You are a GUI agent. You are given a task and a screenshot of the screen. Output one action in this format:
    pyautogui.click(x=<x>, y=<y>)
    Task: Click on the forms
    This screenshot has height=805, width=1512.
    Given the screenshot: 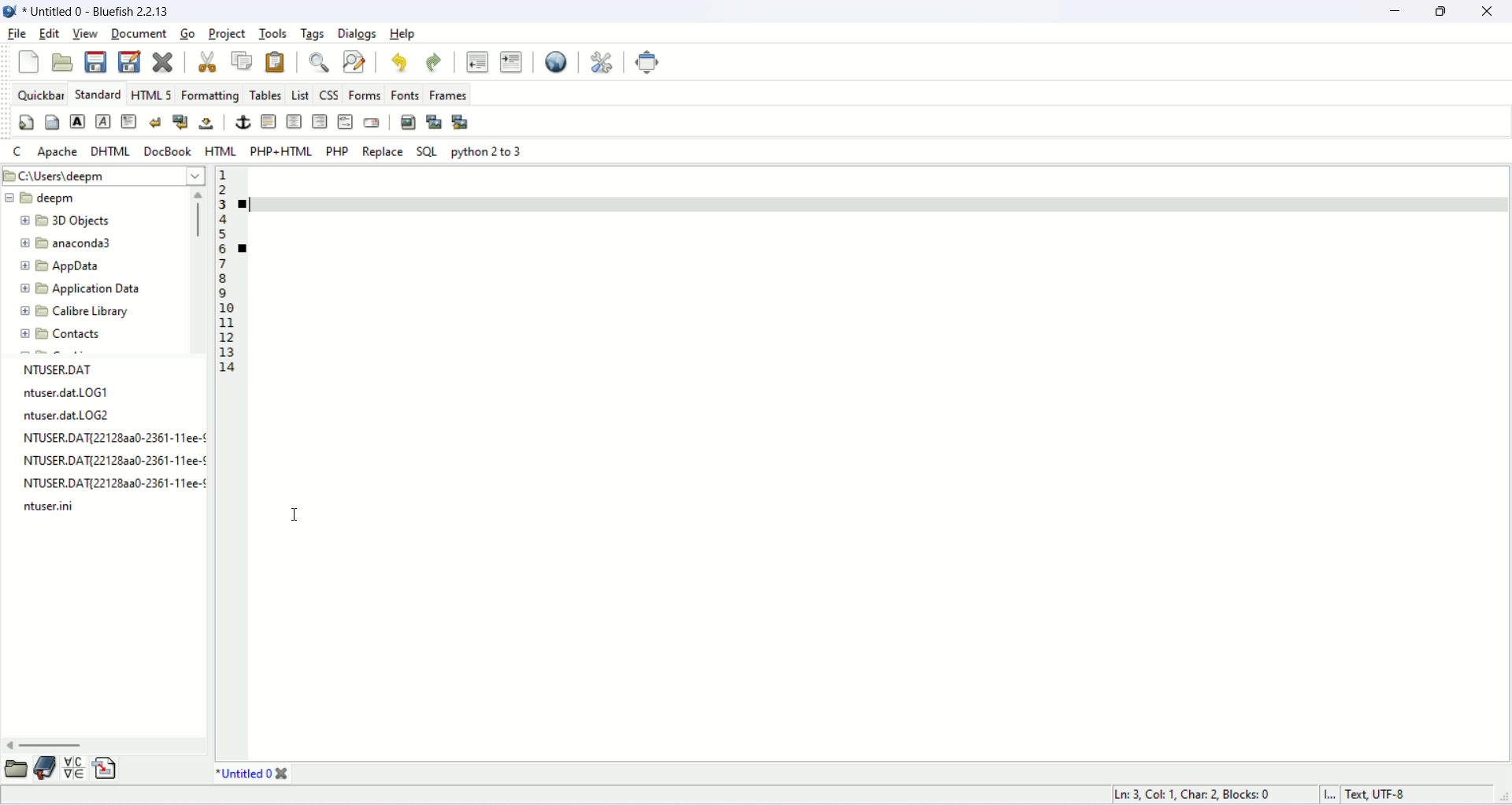 What is the action you would take?
    pyautogui.click(x=363, y=95)
    